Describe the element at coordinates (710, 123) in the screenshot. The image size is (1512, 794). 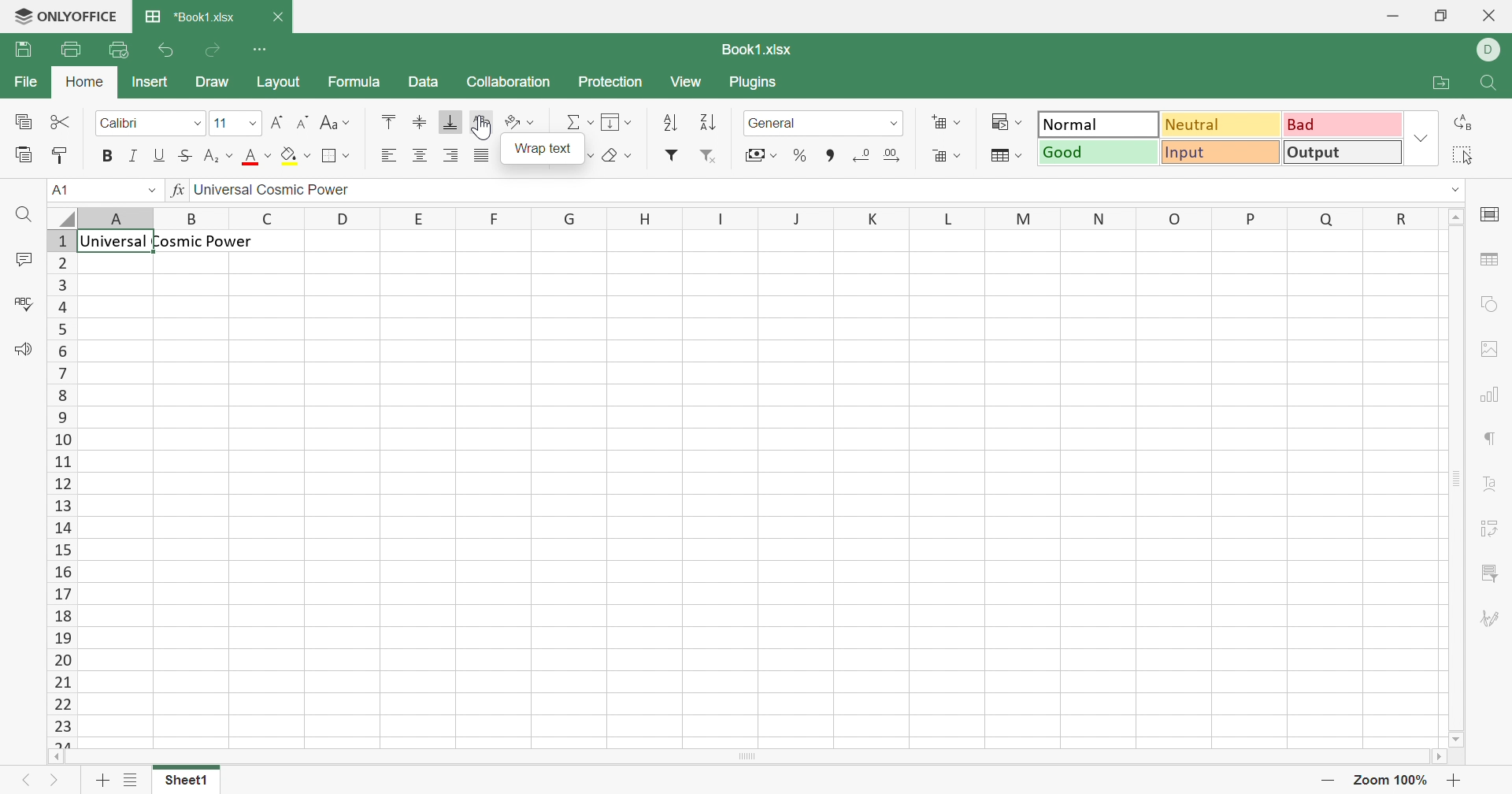
I see `Descending Order` at that location.